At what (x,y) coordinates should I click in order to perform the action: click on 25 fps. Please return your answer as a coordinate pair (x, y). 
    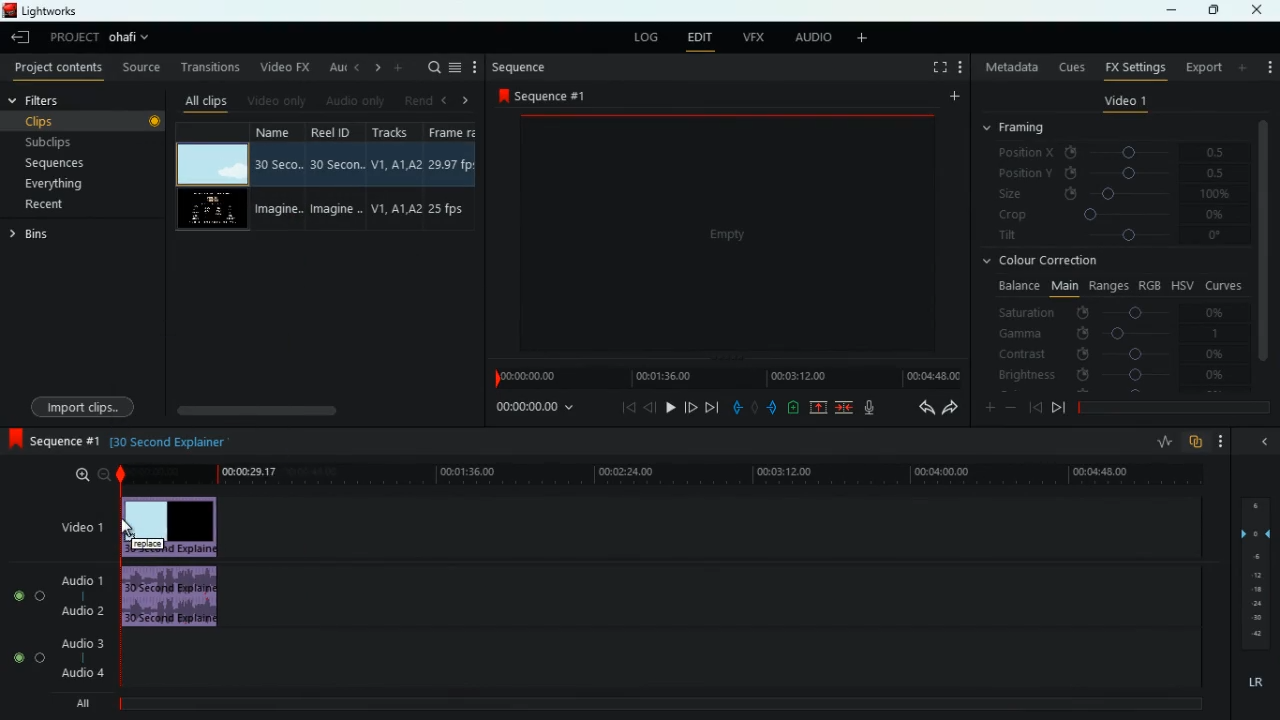
    Looking at the image, I should click on (452, 208).